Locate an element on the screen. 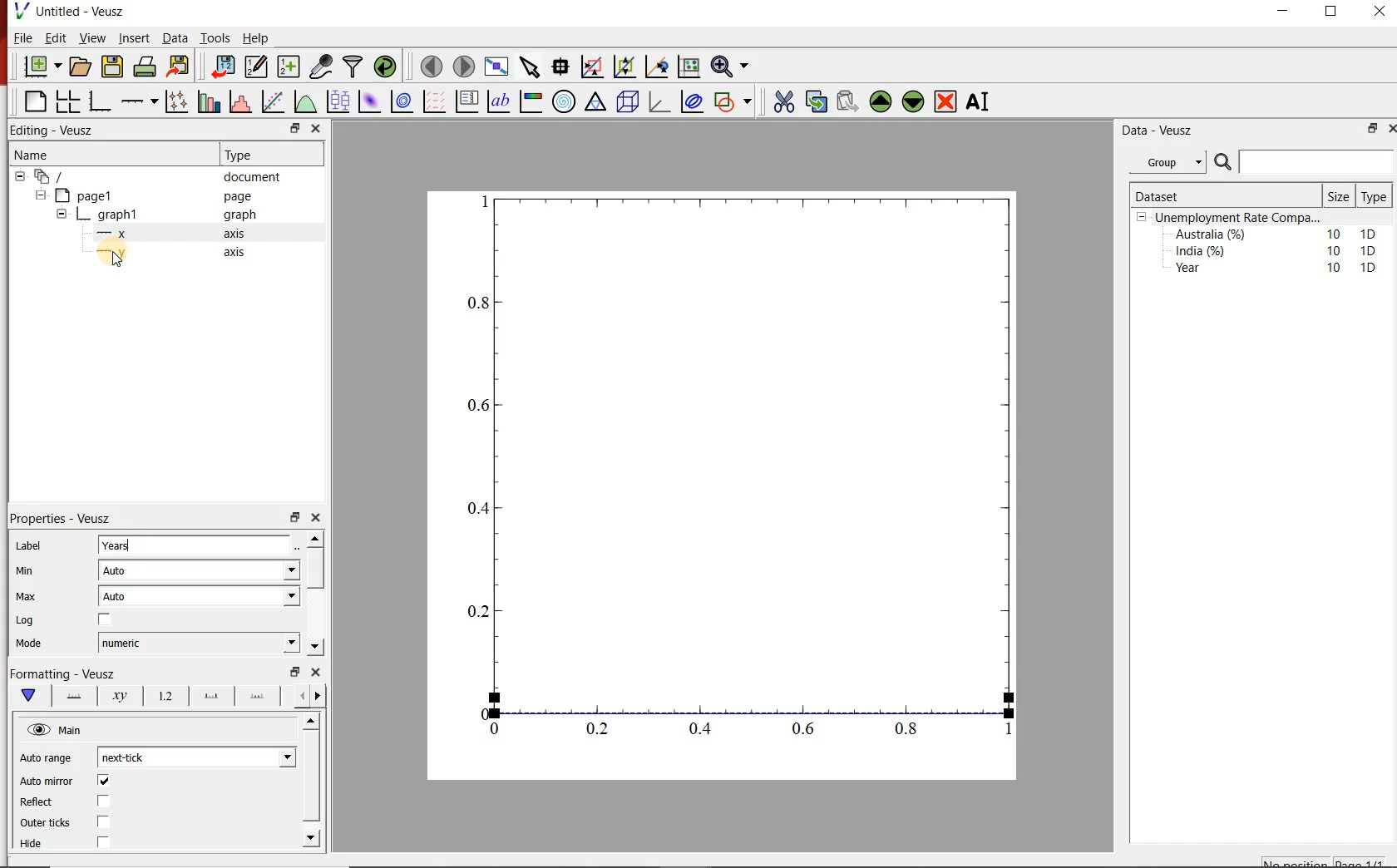  ternary graph is located at coordinates (595, 101).